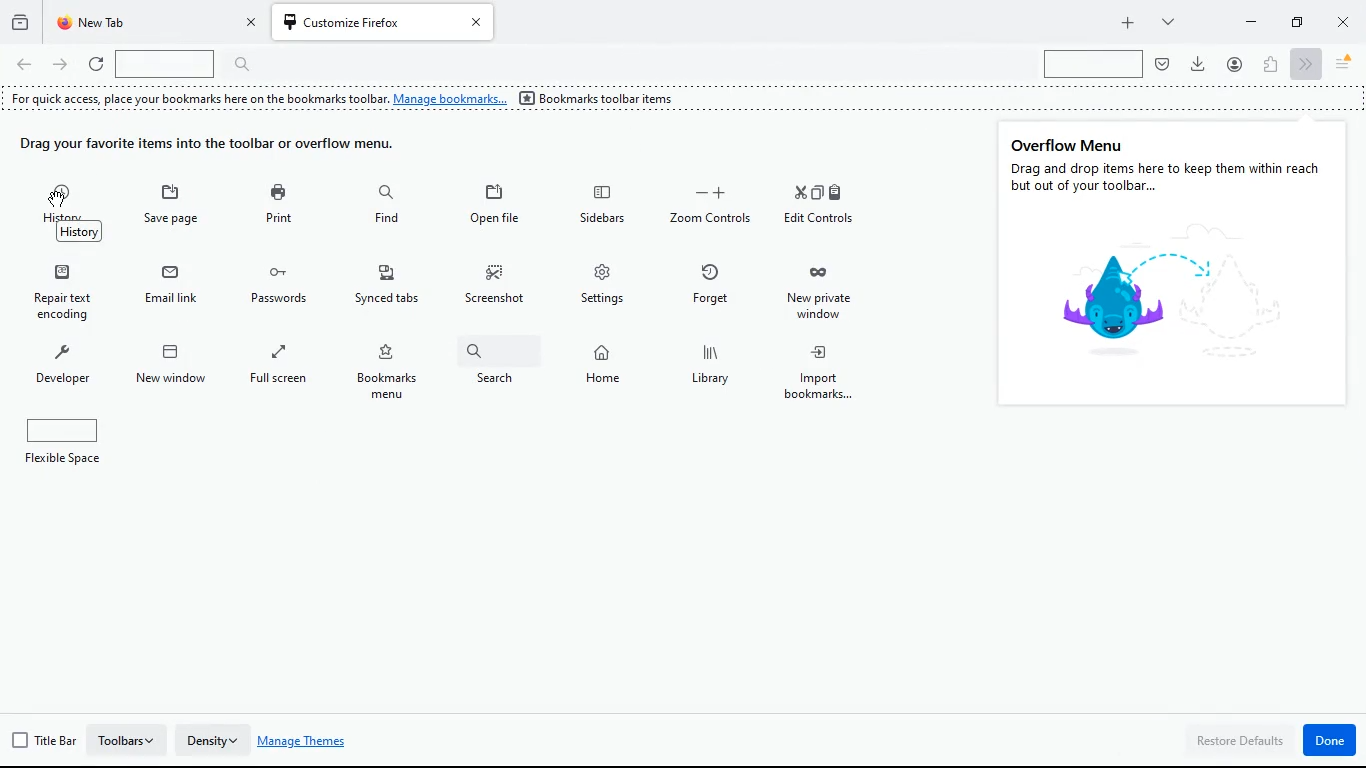 The height and width of the screenshot is (768, 1366). I want to click on bookmarks, so click(393, 372).